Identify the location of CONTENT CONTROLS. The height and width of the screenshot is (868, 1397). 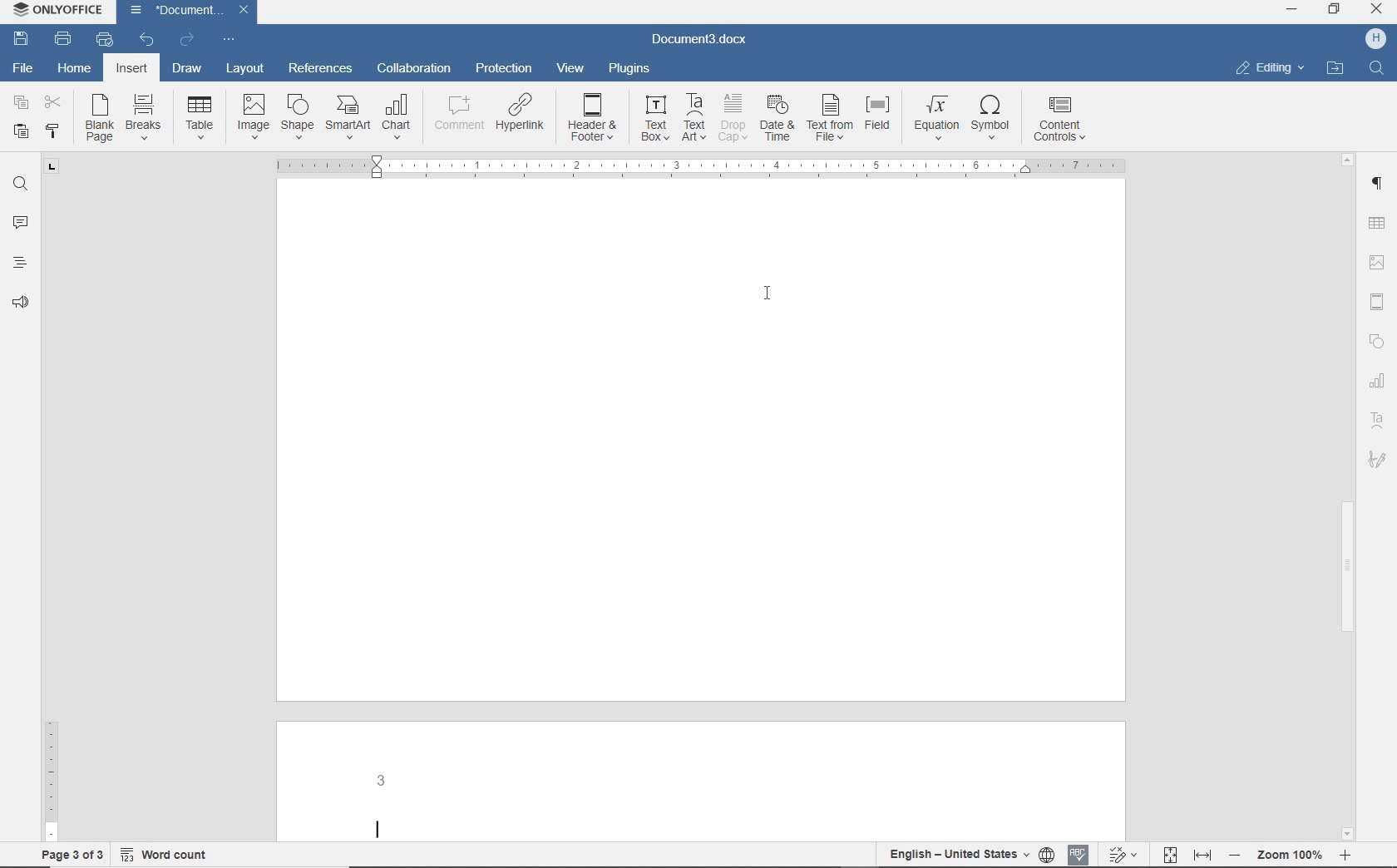
(1059, 118).